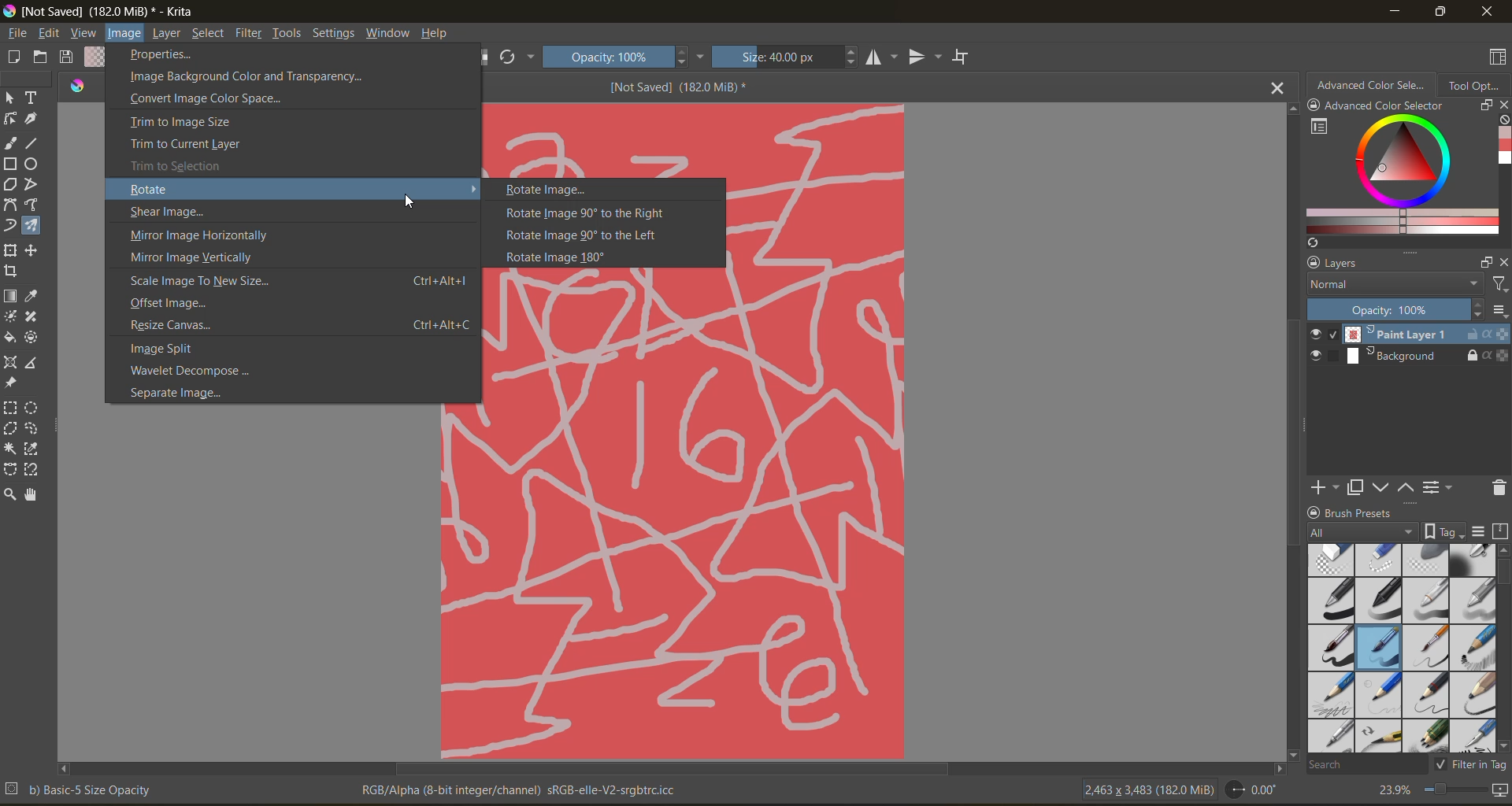 Image resolution: width=1512 pixels, height=806 pixels. Describe the element at coordinates (1316, 512) in the screenshot. I see `lock docker` at that location.